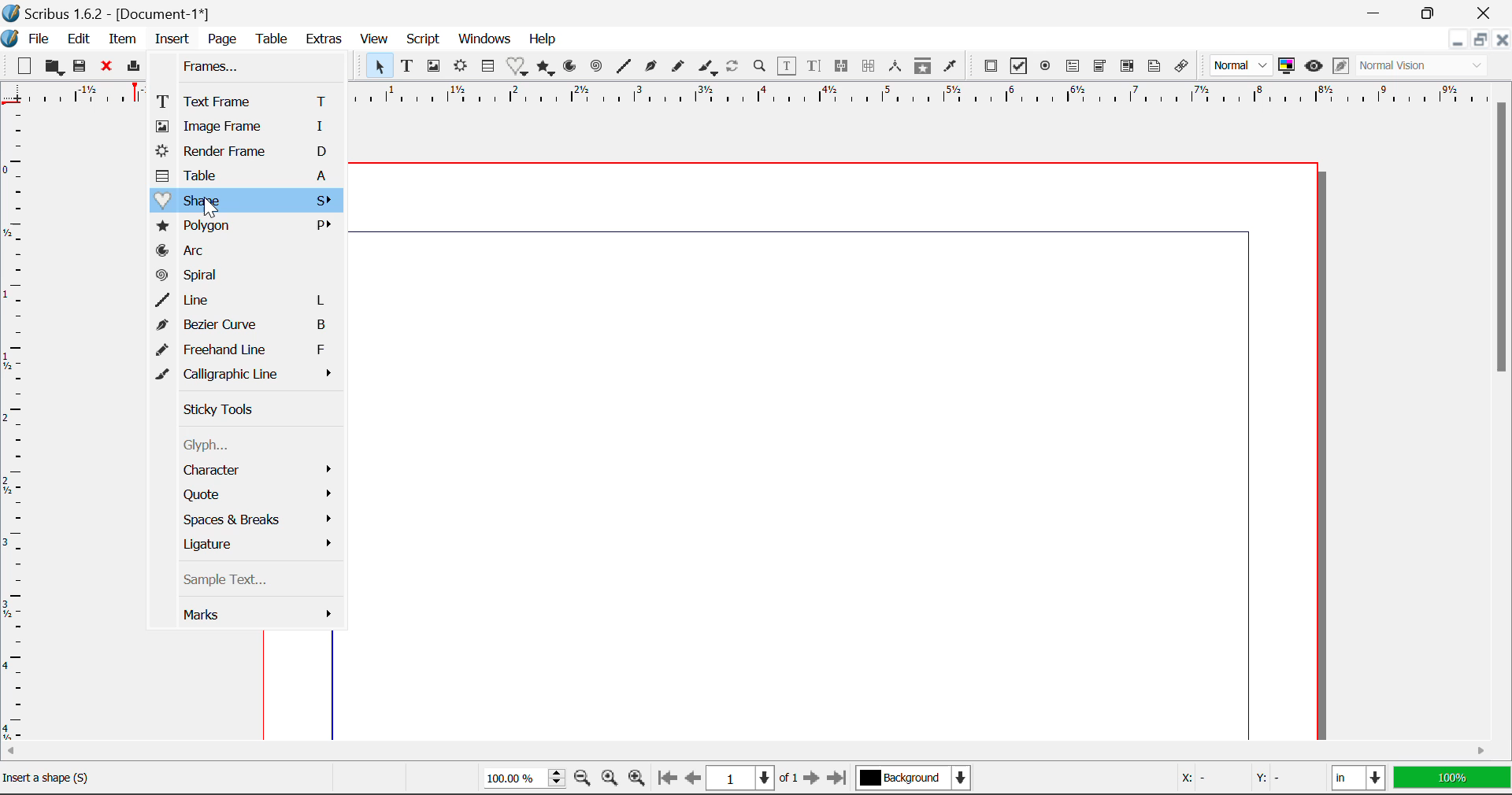 The width and height of the screenshot is (1512, 795). What do you see at coordinates (247, 409) in the screenshot?
I see `Sticky Tools` at bounding box center [247, 409].